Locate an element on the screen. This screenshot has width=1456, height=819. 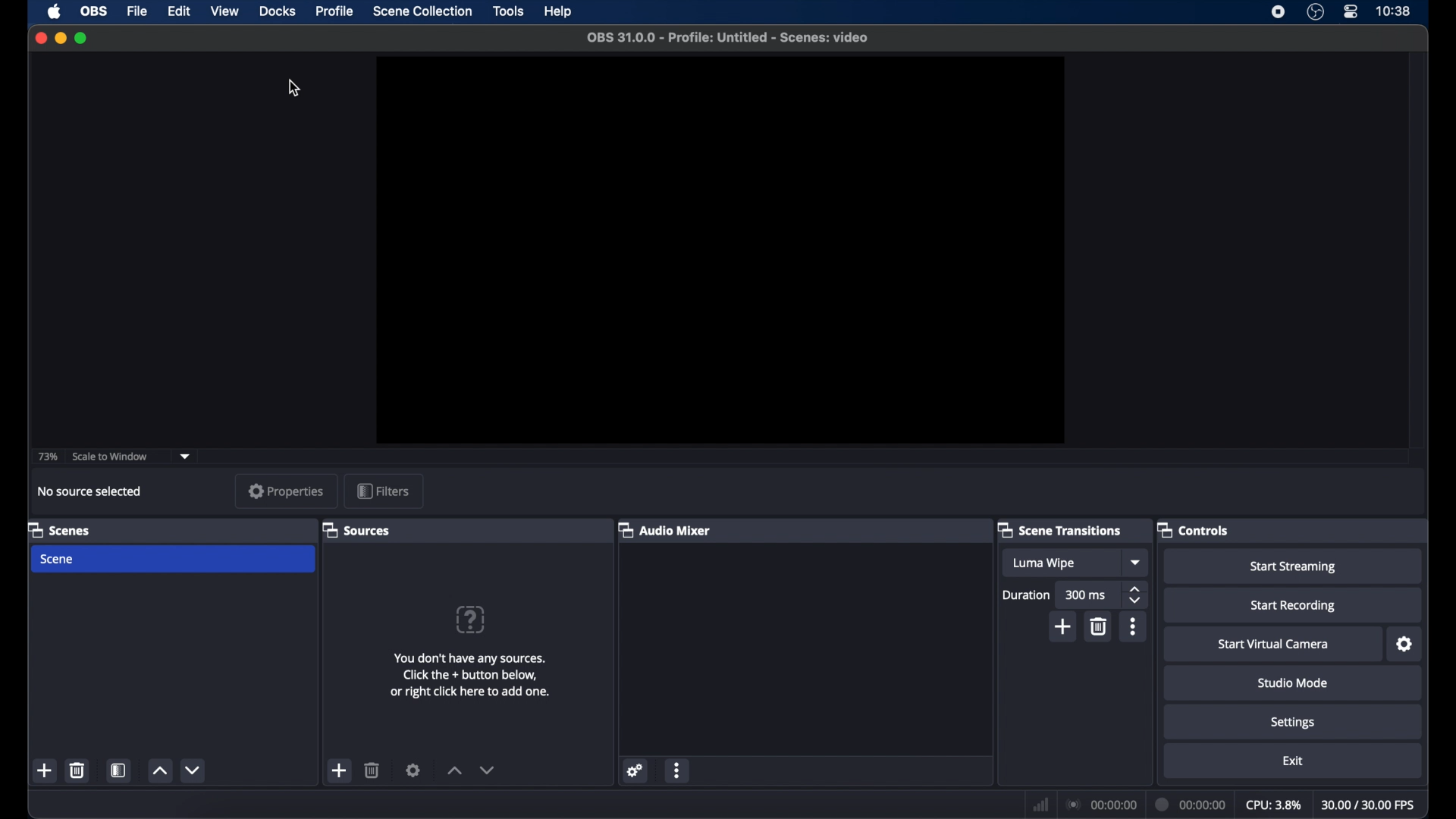
no source selected is located at coordinates (91, 491).